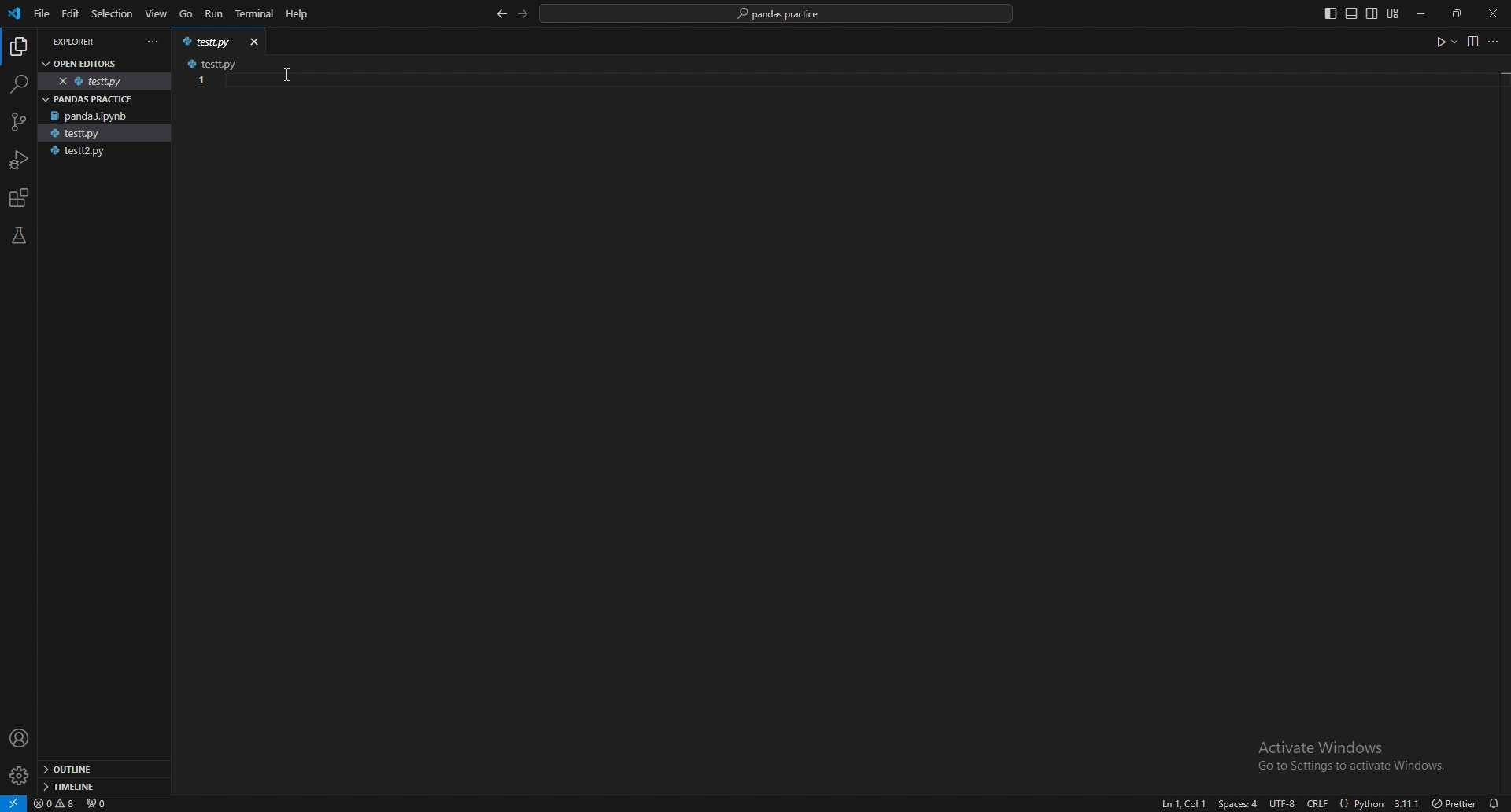  Describe the element at coordinates (1425, 14) in the screenshot. I see `minimize` at that location.